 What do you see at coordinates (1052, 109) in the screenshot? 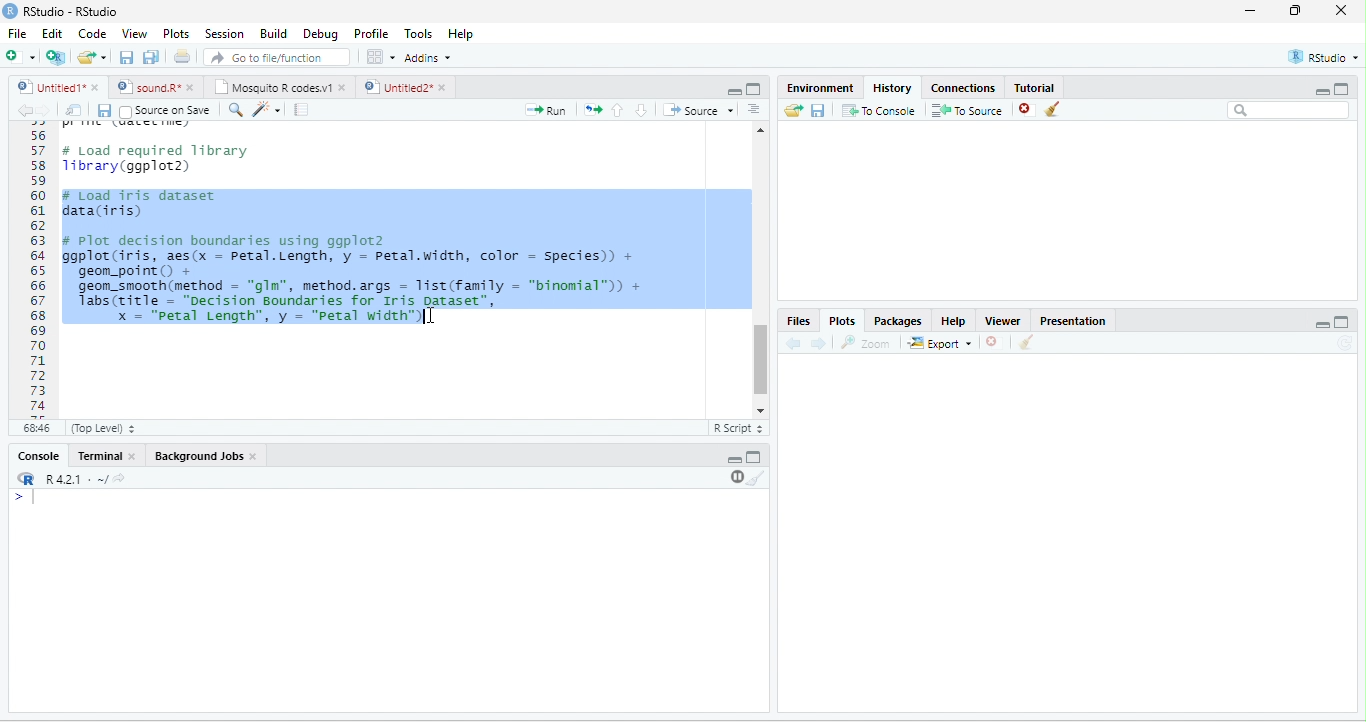
I see `clear` at bounding box center [1052, 109].